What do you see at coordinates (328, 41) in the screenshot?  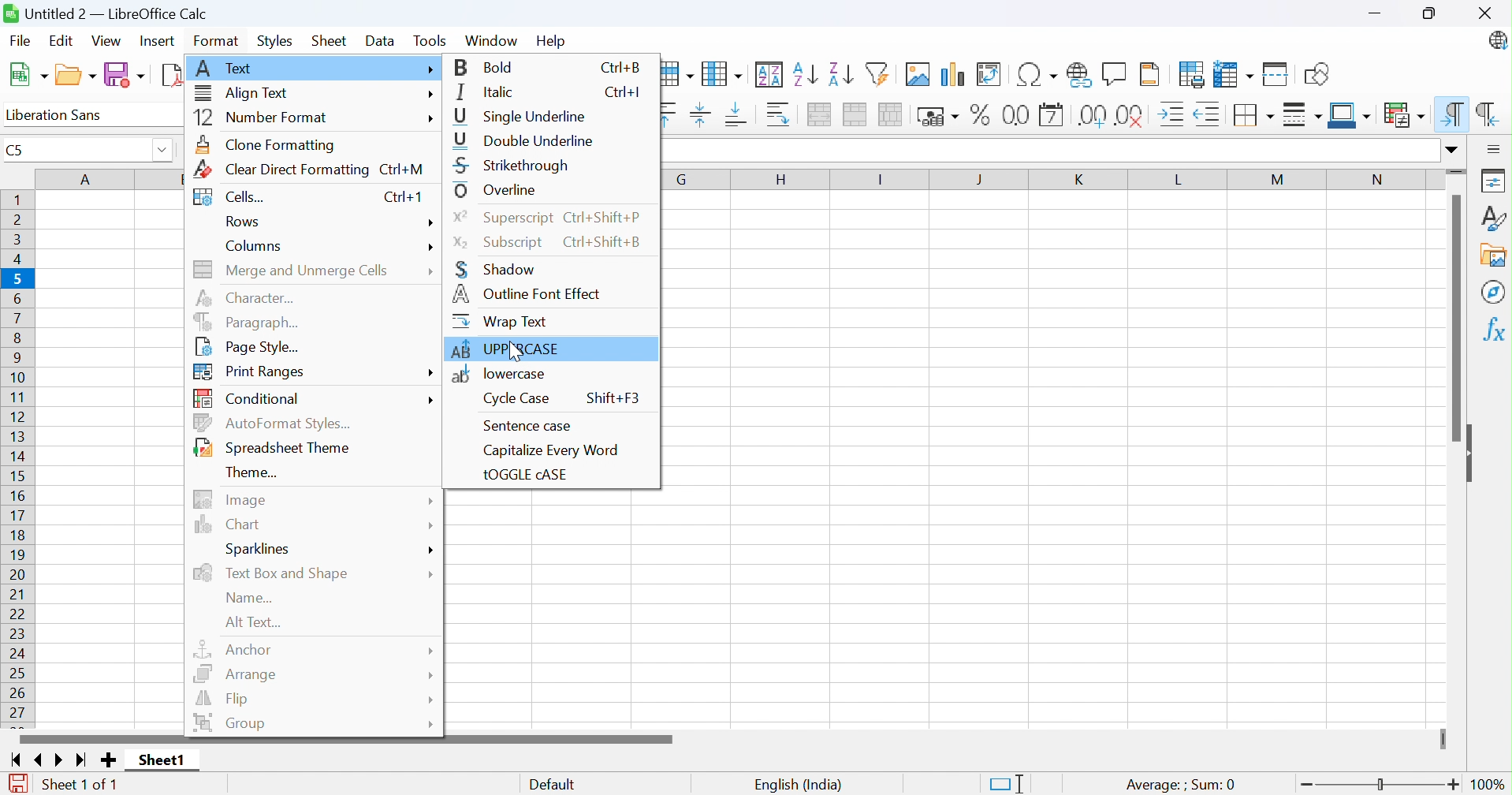 I see `Sheet` at bounding box center [328, 41].